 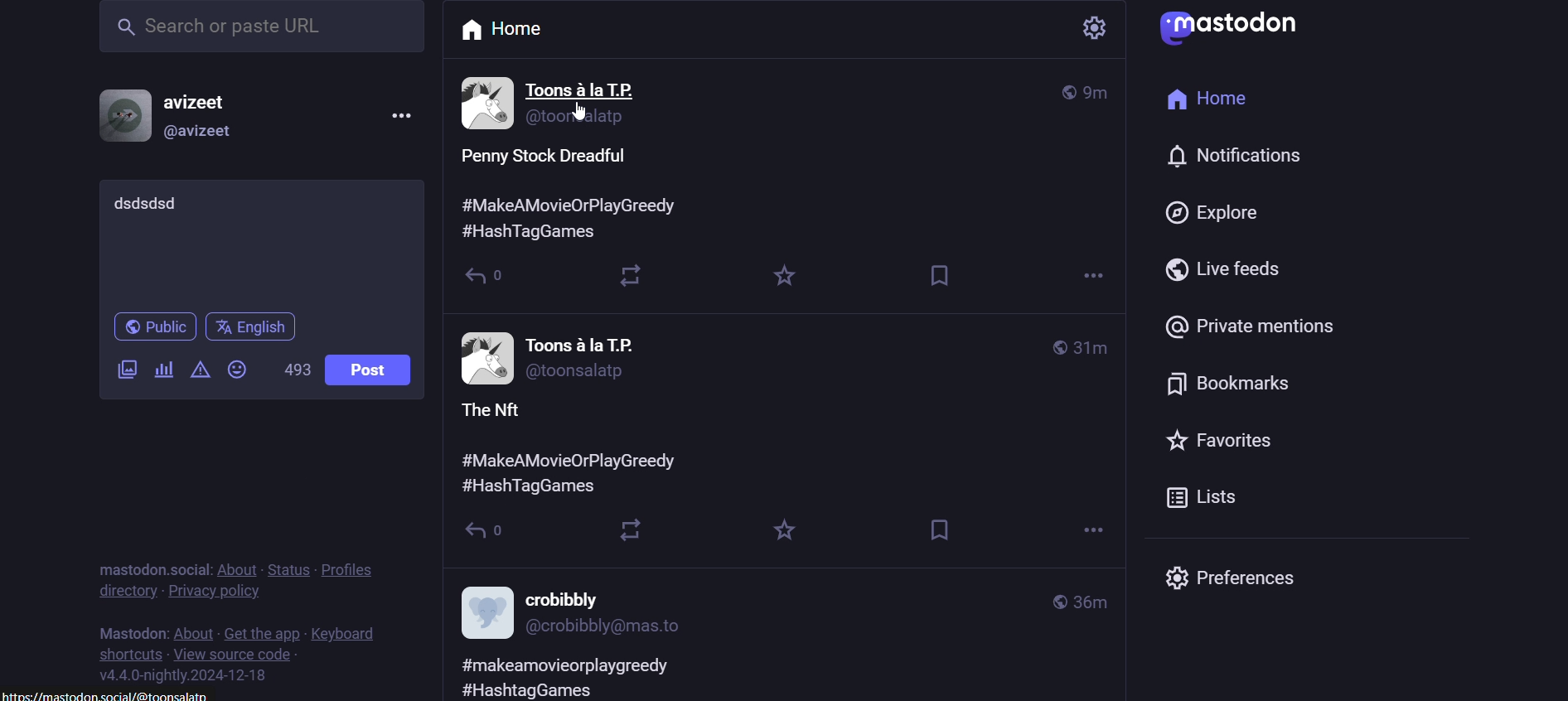 I want to click on live feeds, so click(x=1232, y=277).